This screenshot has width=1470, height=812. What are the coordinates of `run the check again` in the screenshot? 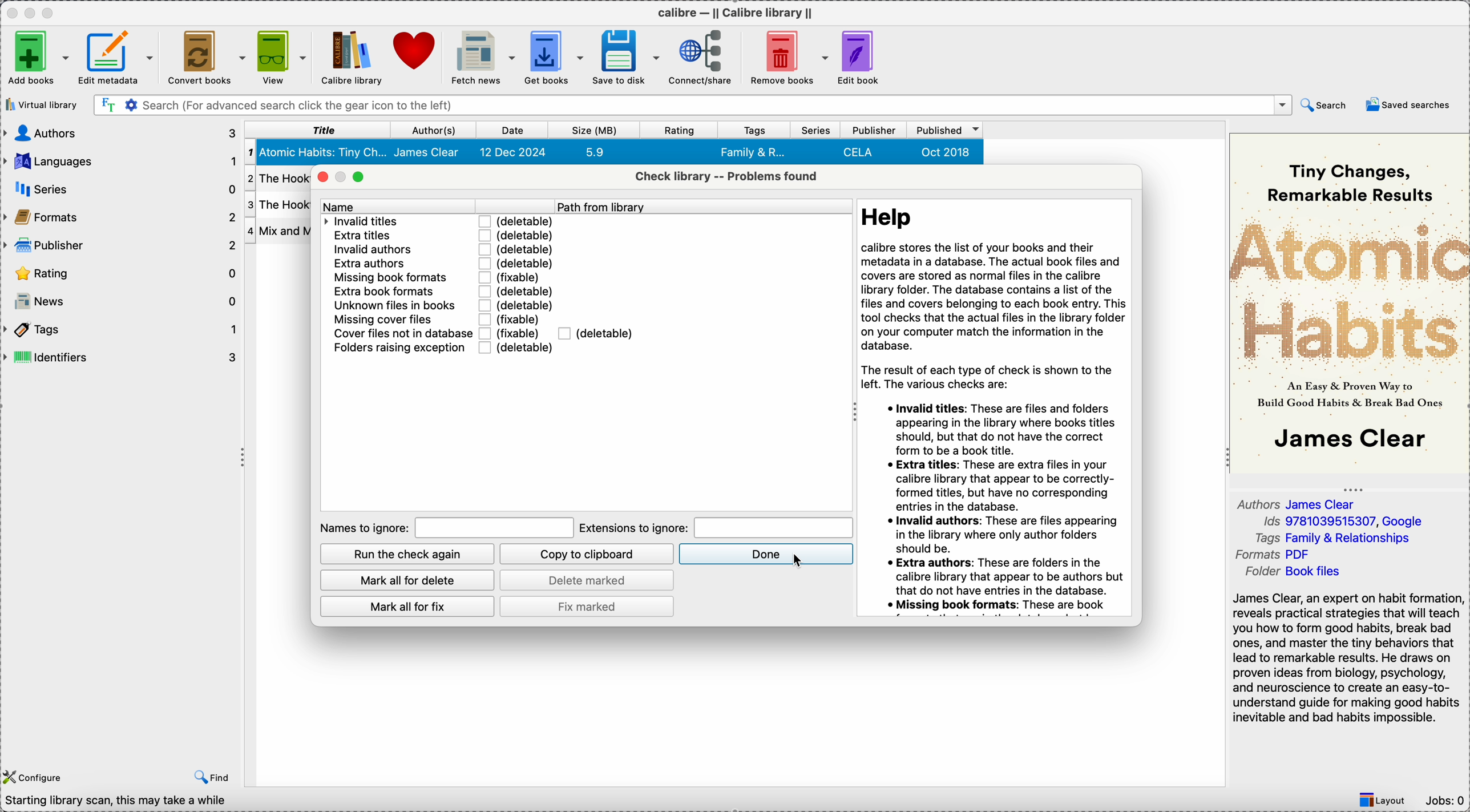 It's located at (409, 554).